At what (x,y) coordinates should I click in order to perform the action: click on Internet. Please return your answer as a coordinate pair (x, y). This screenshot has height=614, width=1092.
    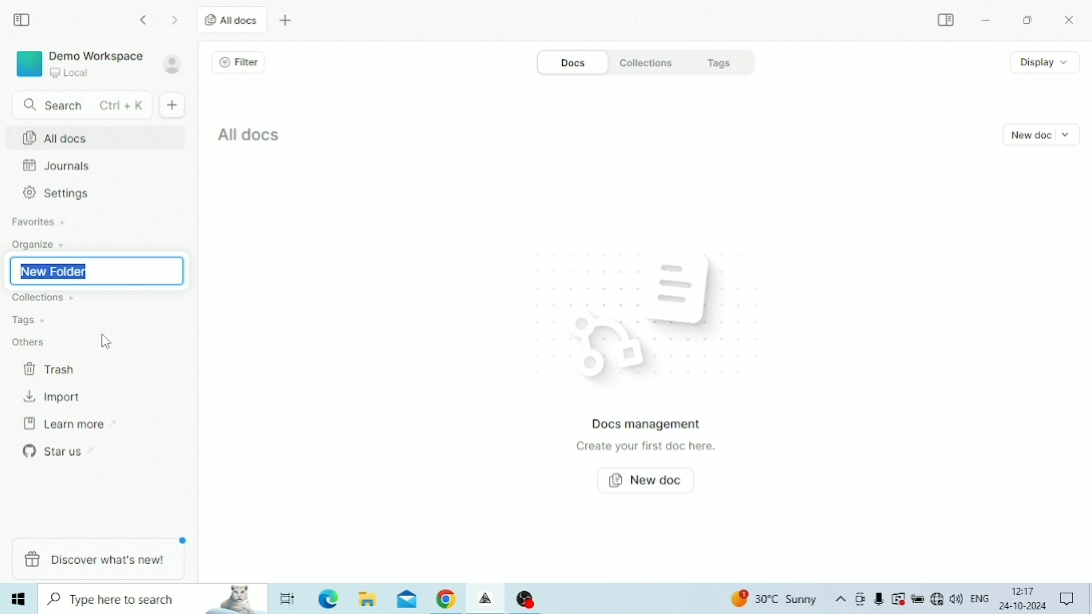
    Looking at the image, I should click on (936, 599).